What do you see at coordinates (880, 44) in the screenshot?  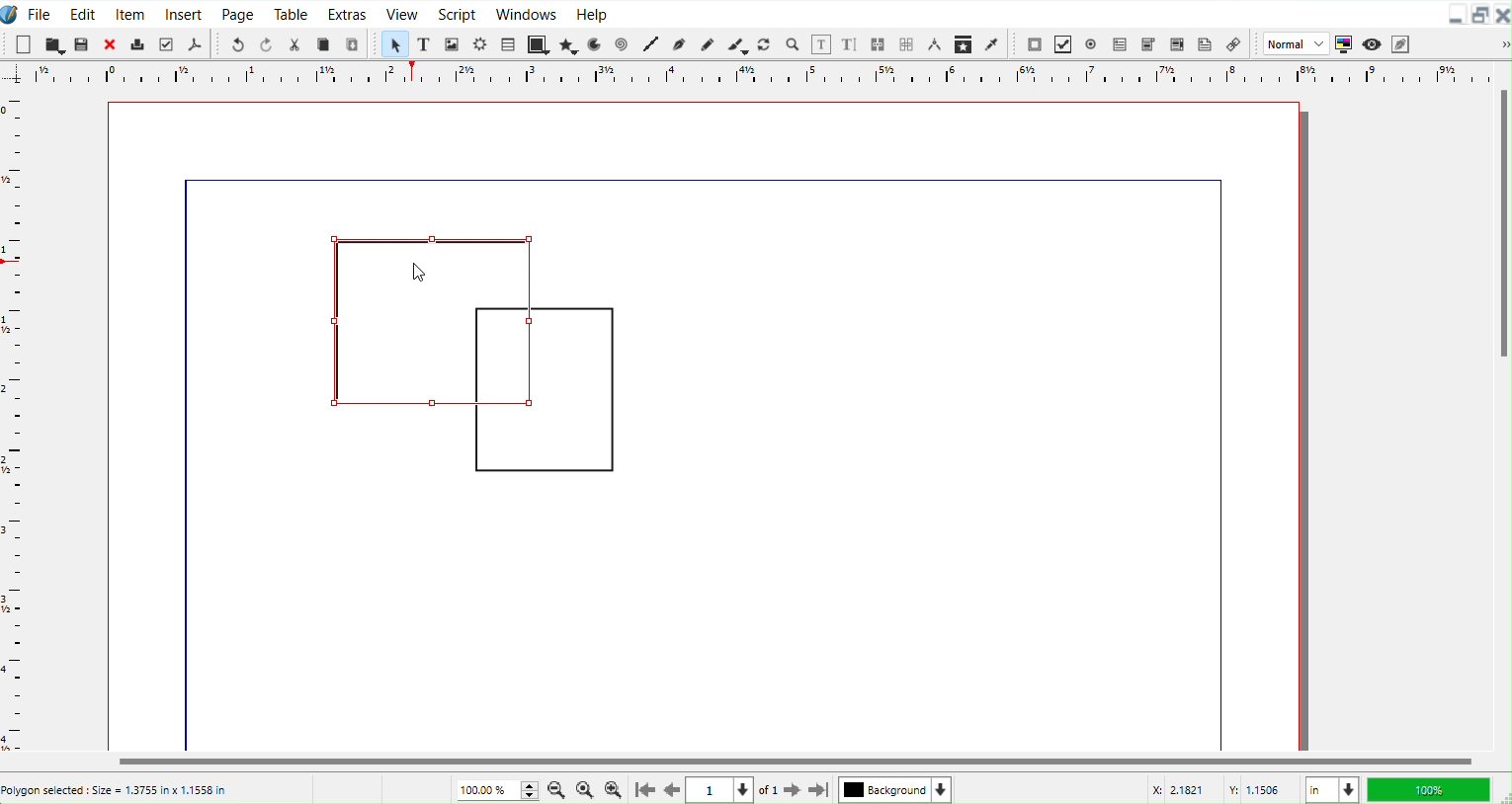 I see `Link text frame` at bounding box center [880, 44].